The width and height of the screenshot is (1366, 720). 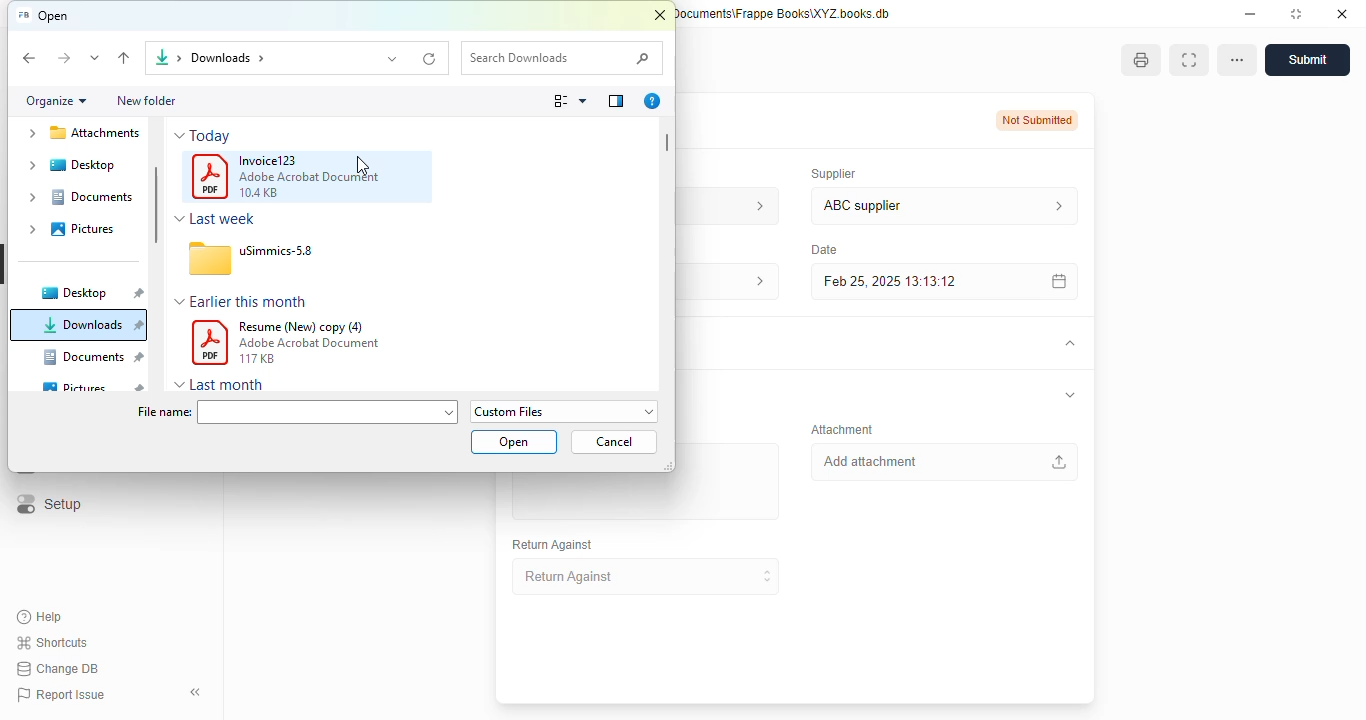 I want to click on file name input field, so click(x=328, y=411).